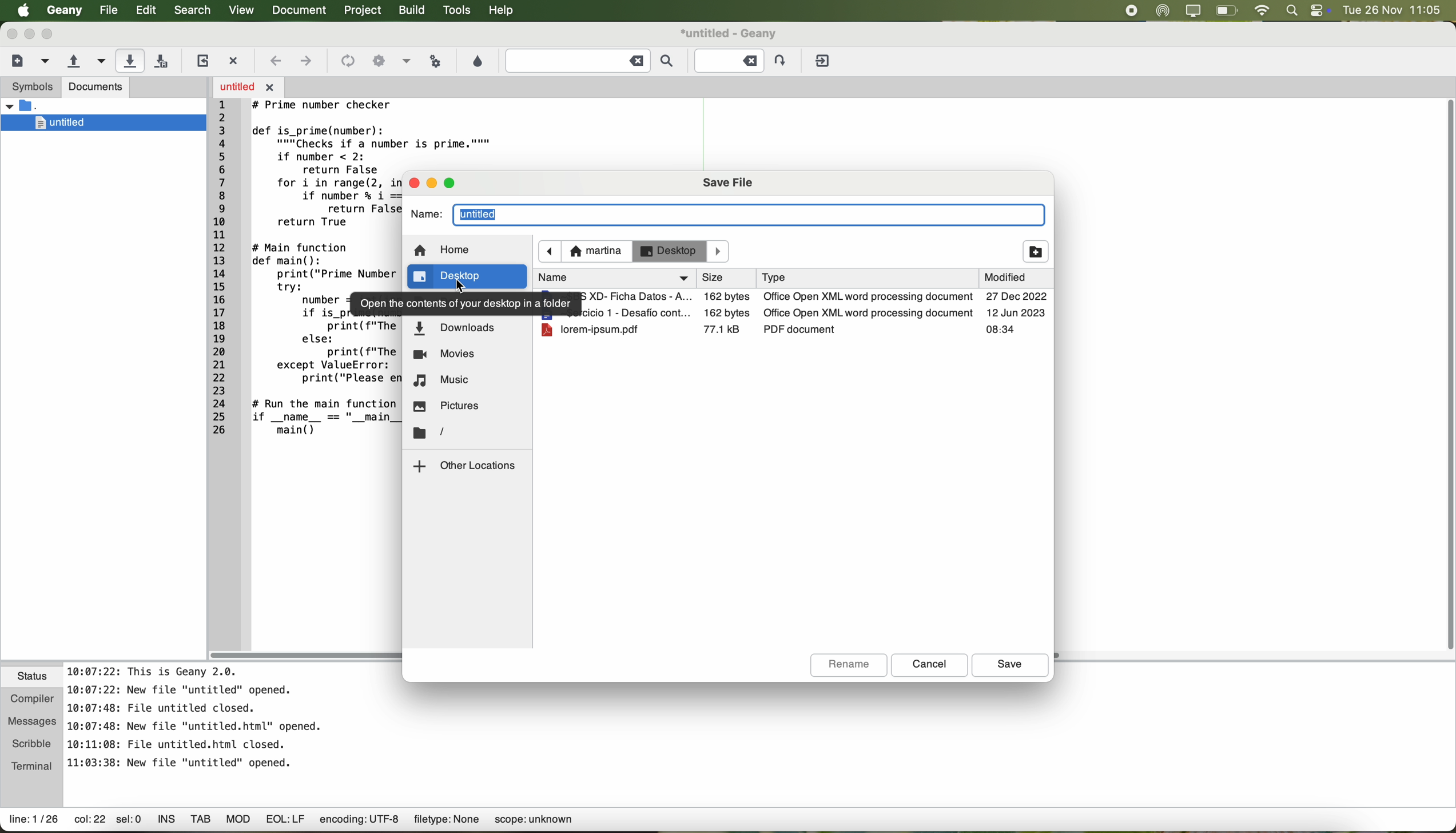 This screenshot has height=833, width=1456. What do you see at coordinates (458, 11) in the screenshot?
I see `tools` at bounding box center [458, 11].